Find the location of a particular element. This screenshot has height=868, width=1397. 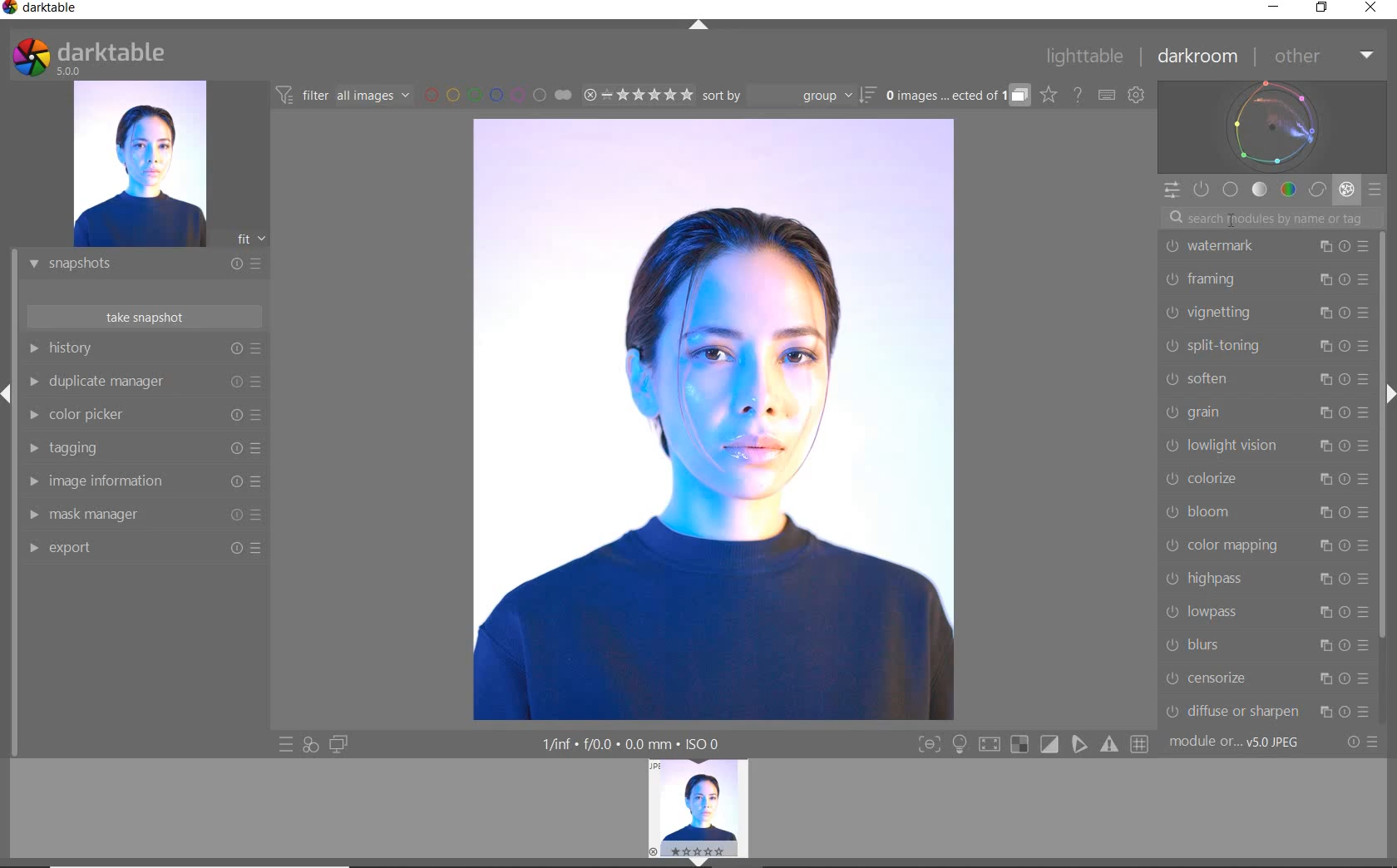

TONE is located at coordinates (1261, 190).